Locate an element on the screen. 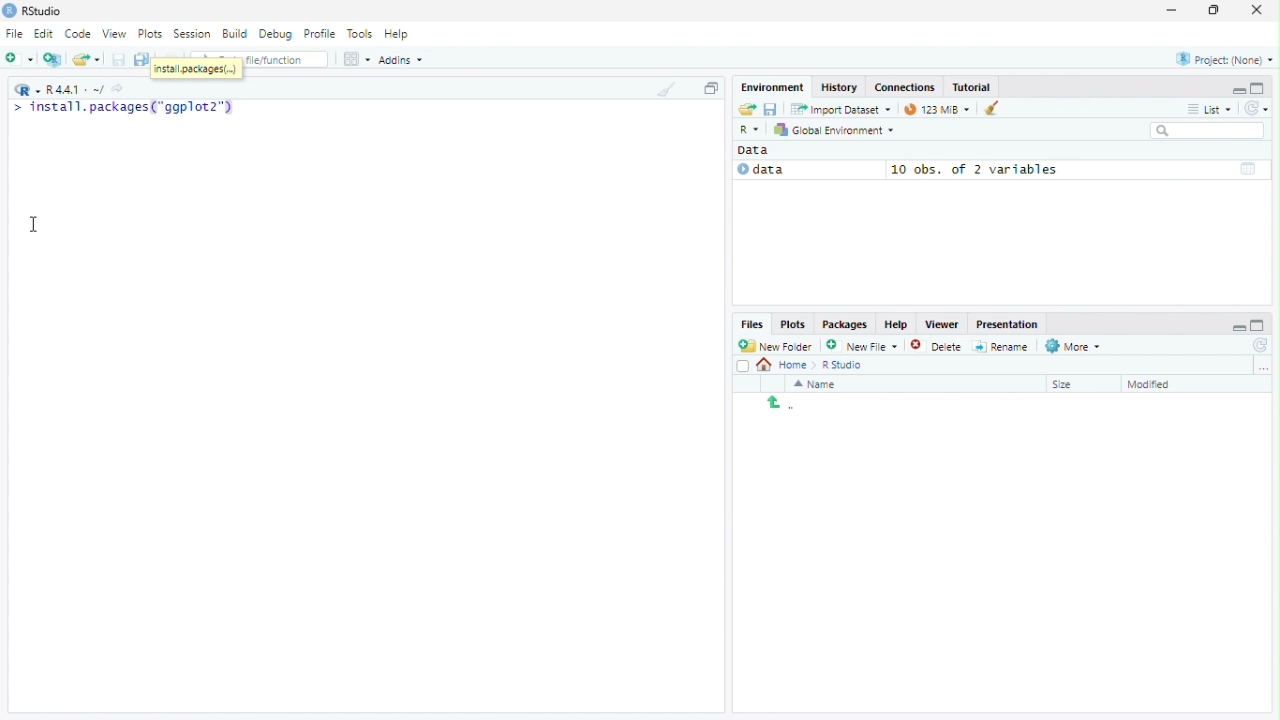 The image size is (1280, 720). presentation is located at coordinates (1010, 324).